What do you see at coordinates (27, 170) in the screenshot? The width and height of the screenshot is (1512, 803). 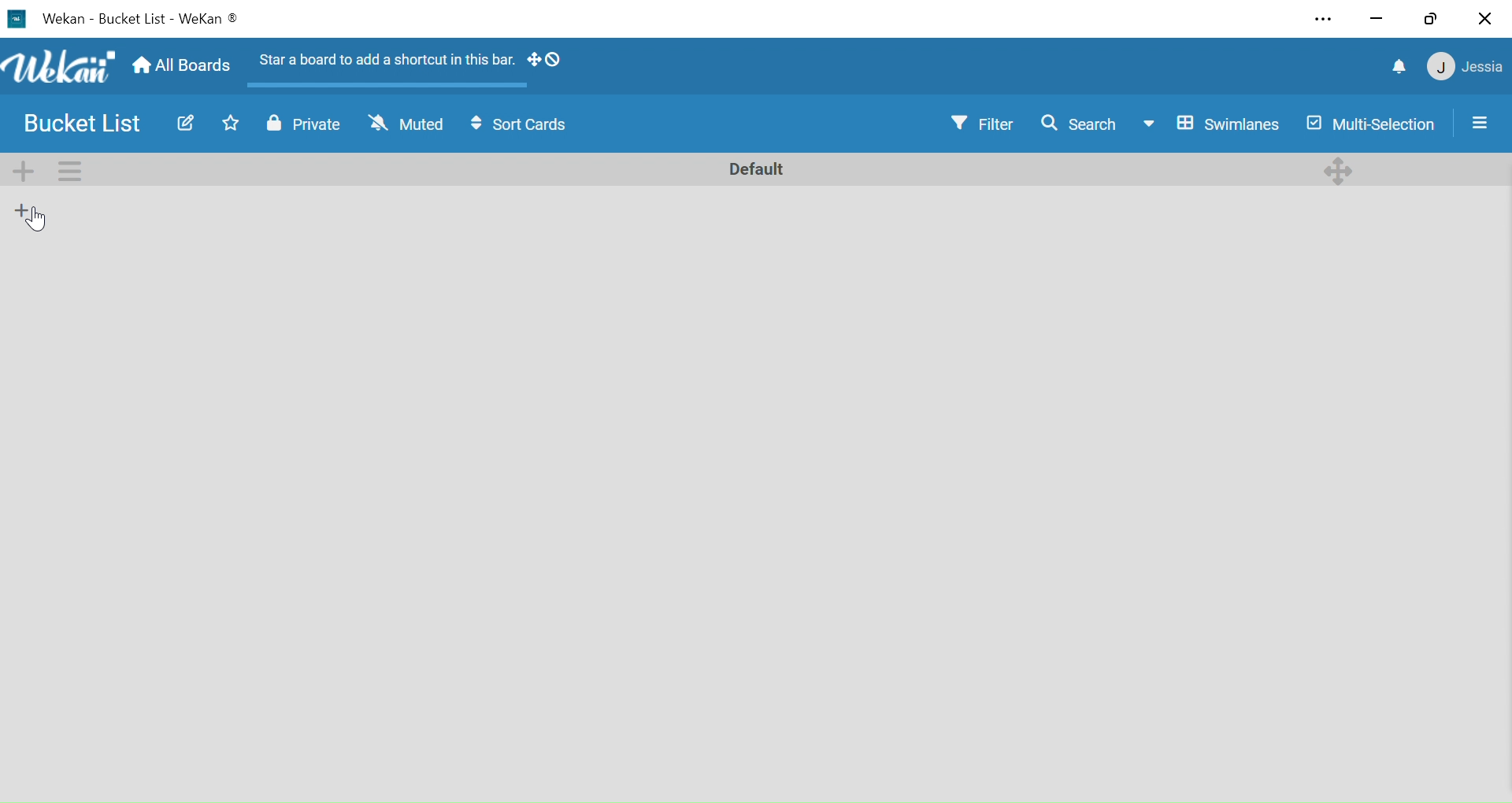 I see `Add Swimlanes` at bounding box center [27, 170].